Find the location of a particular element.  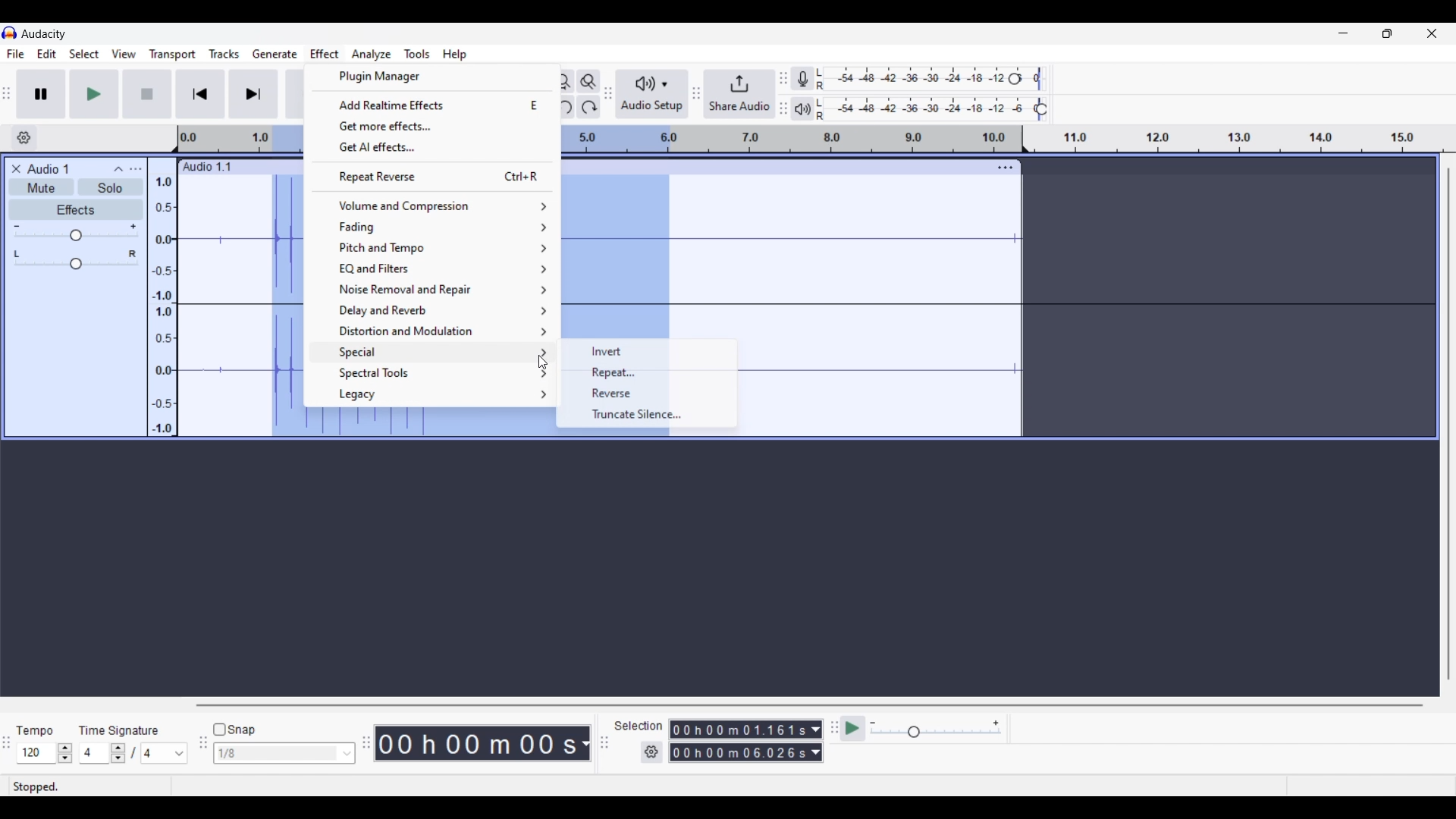

Recording level header is located at coordinates (1015, 79).